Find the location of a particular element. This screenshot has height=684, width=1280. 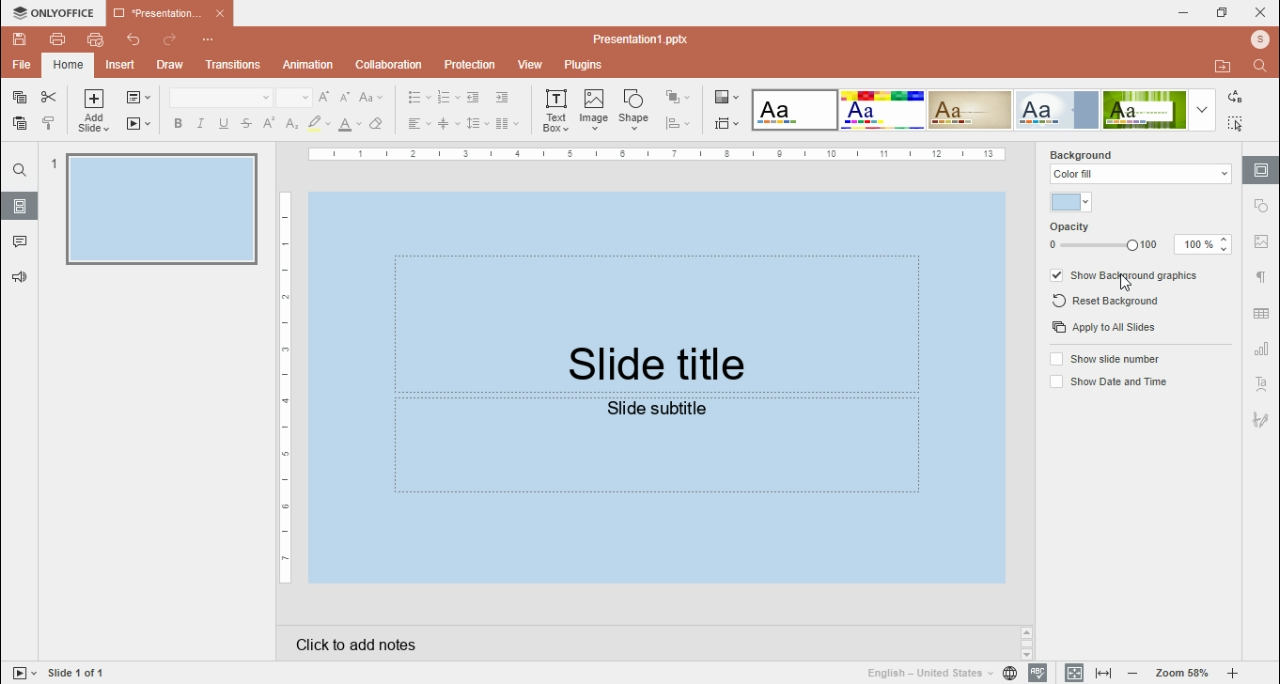

decrement font size is located at coordinates (347, 97).